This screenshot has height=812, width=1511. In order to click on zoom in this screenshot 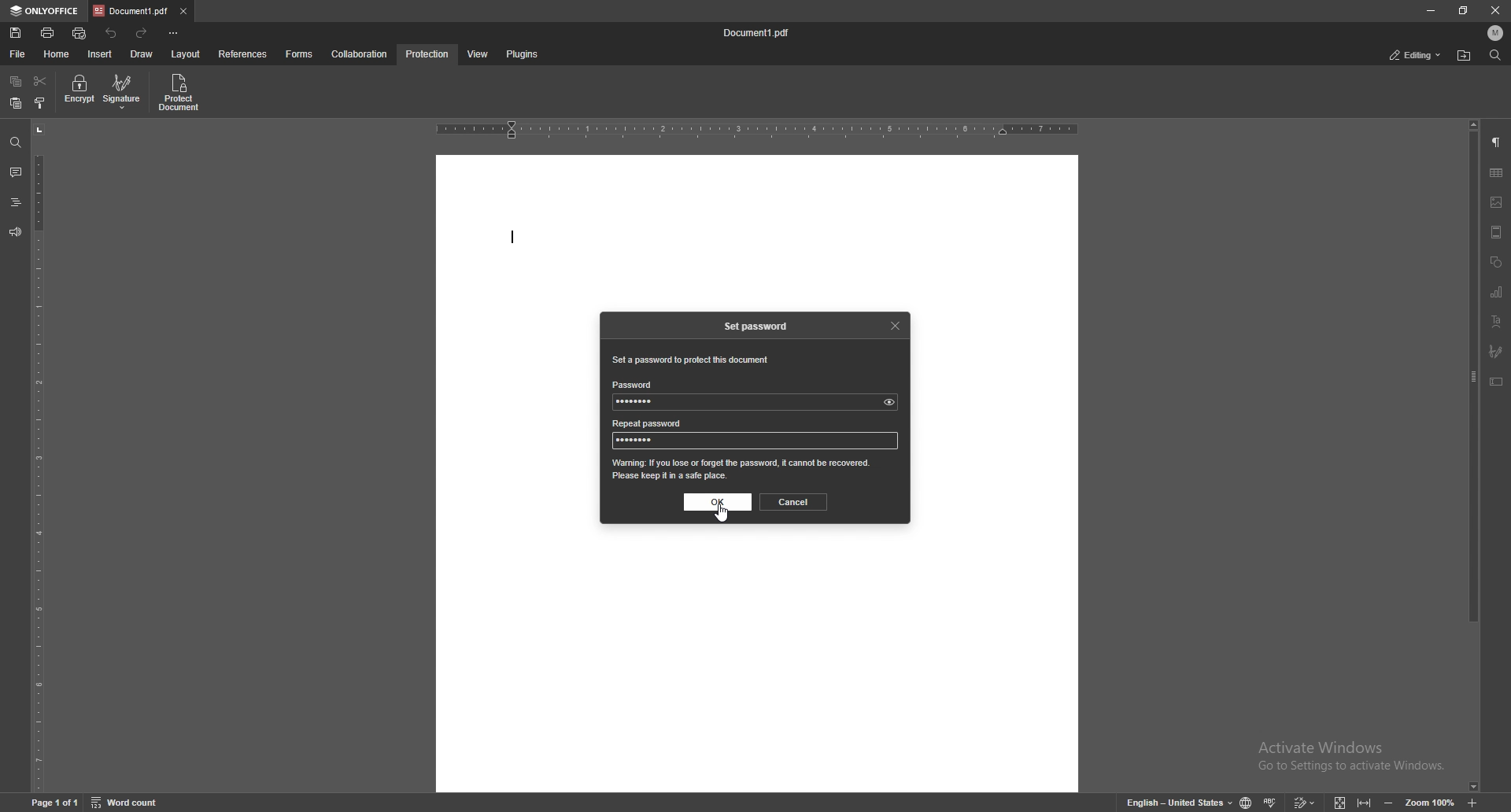, I will do `click(1431, 802)`.